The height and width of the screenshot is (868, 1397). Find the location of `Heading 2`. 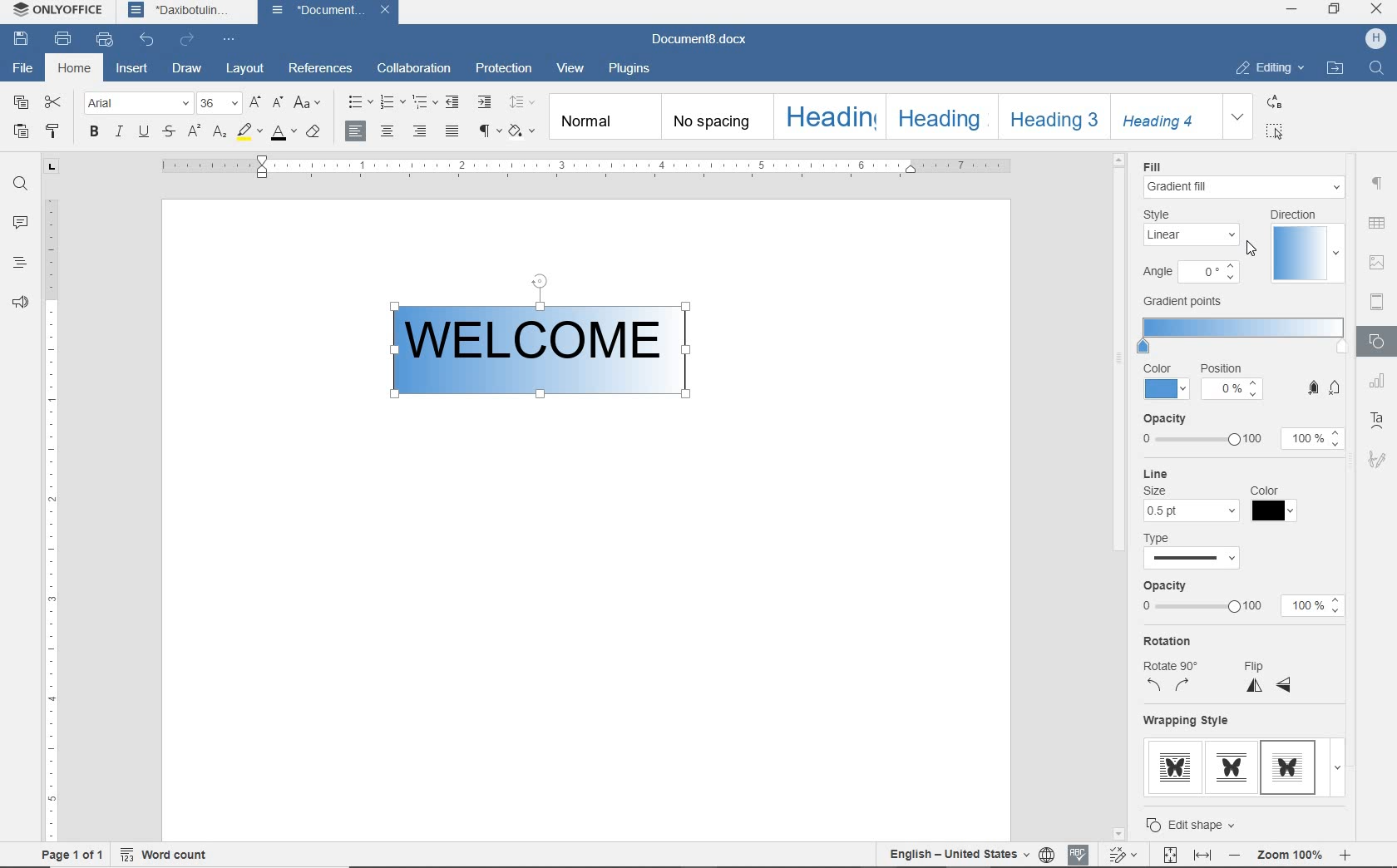

Heading 2 is located at coordinates (942, 116).